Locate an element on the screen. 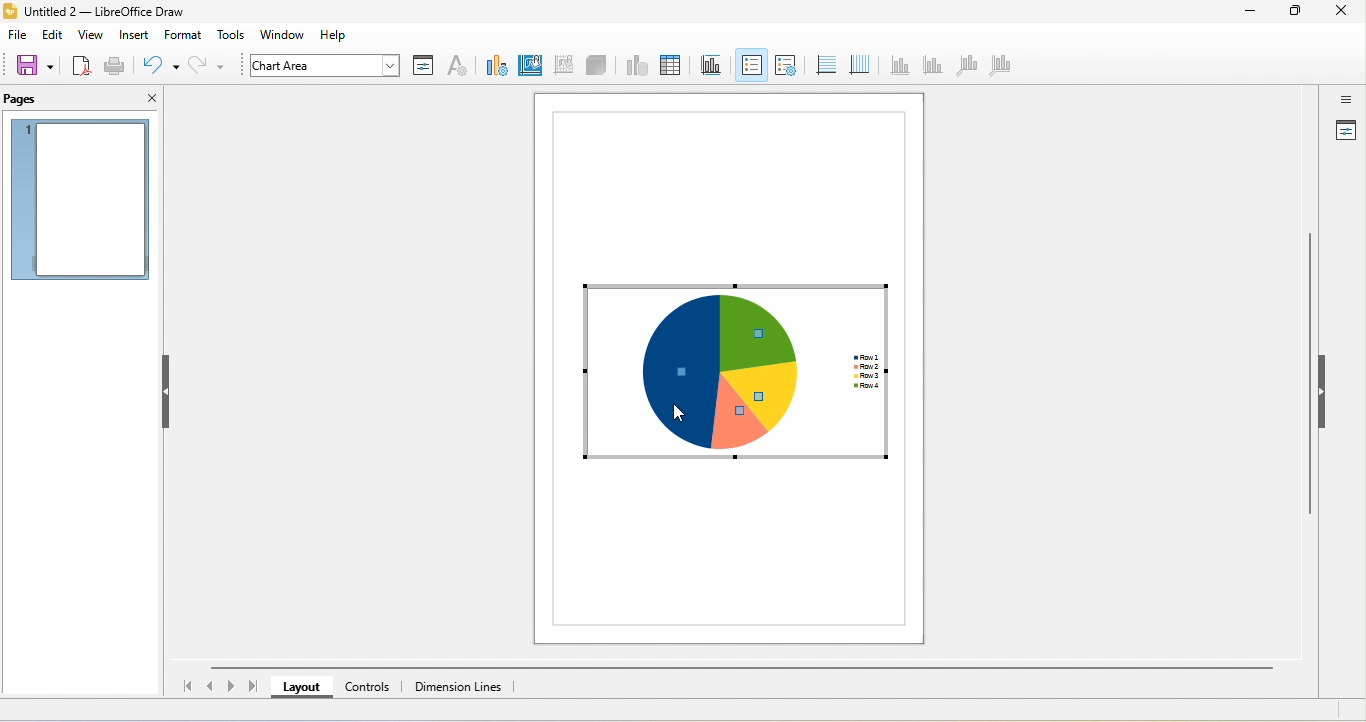 This screenshot has height=722, width=1366. change chart is located at coordinates (493, 65).